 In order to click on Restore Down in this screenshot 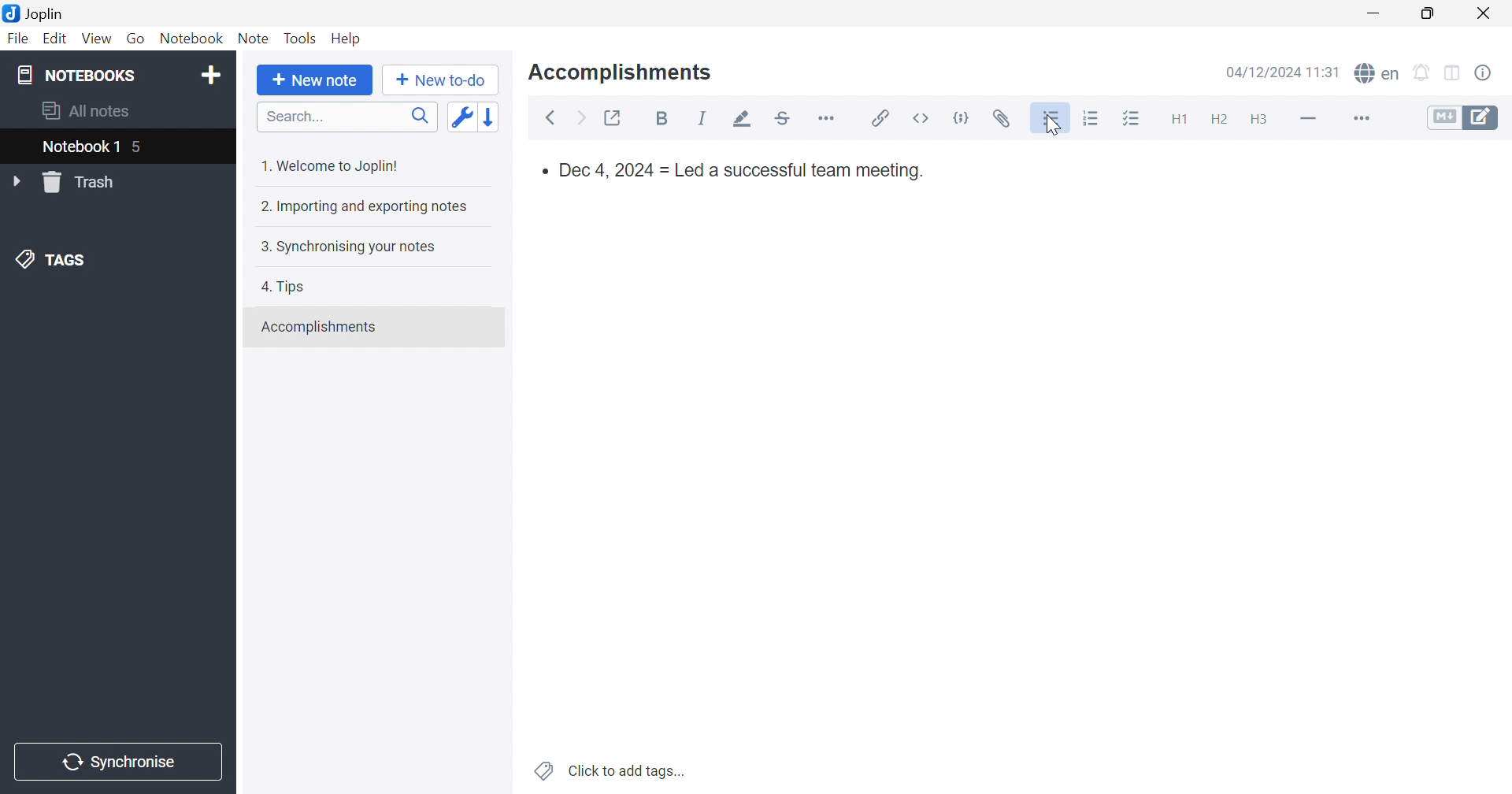, I will do `click(1429, 14)`.